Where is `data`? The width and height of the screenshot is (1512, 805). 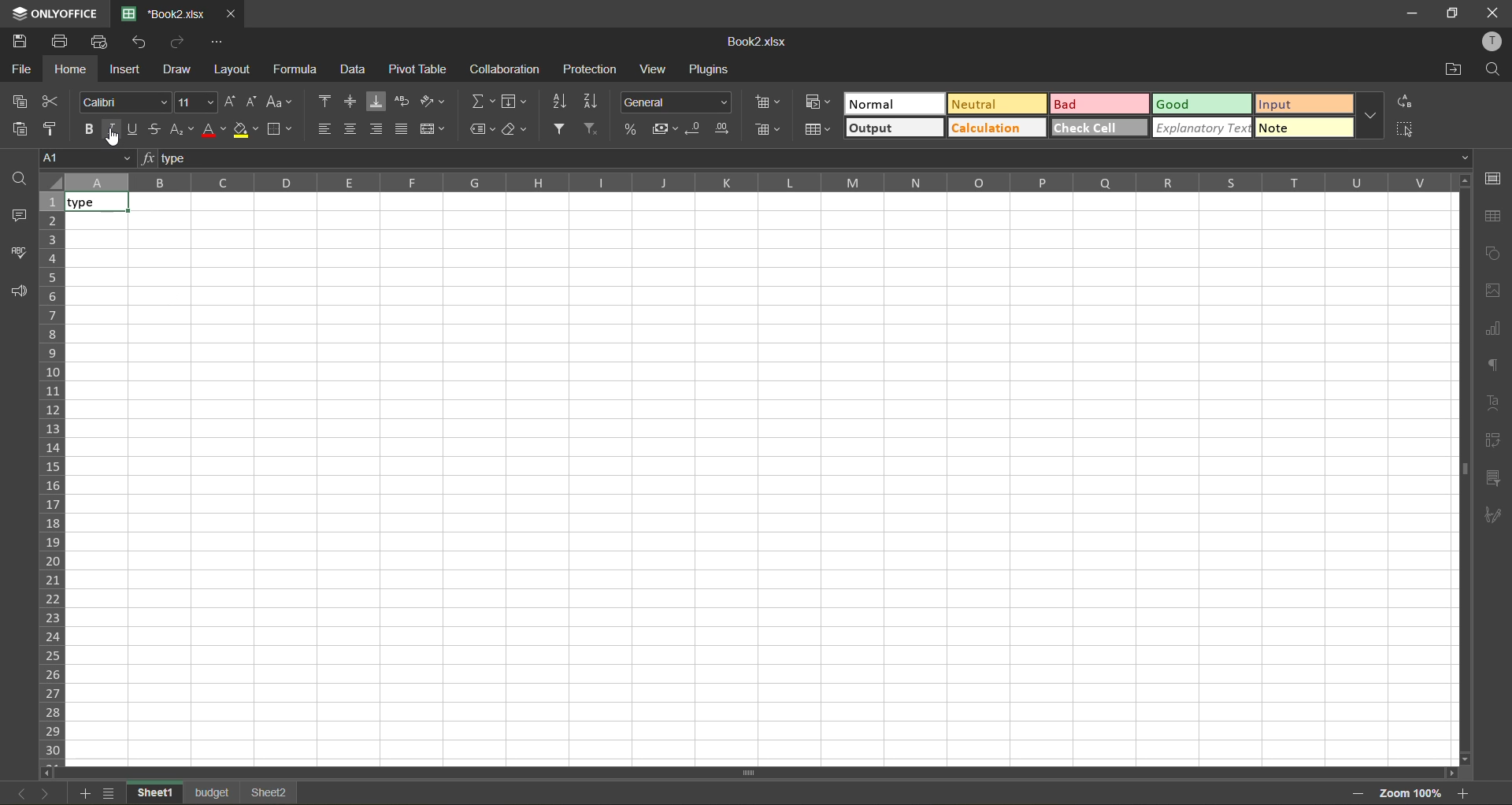 data is located at coordinates (355, 69).